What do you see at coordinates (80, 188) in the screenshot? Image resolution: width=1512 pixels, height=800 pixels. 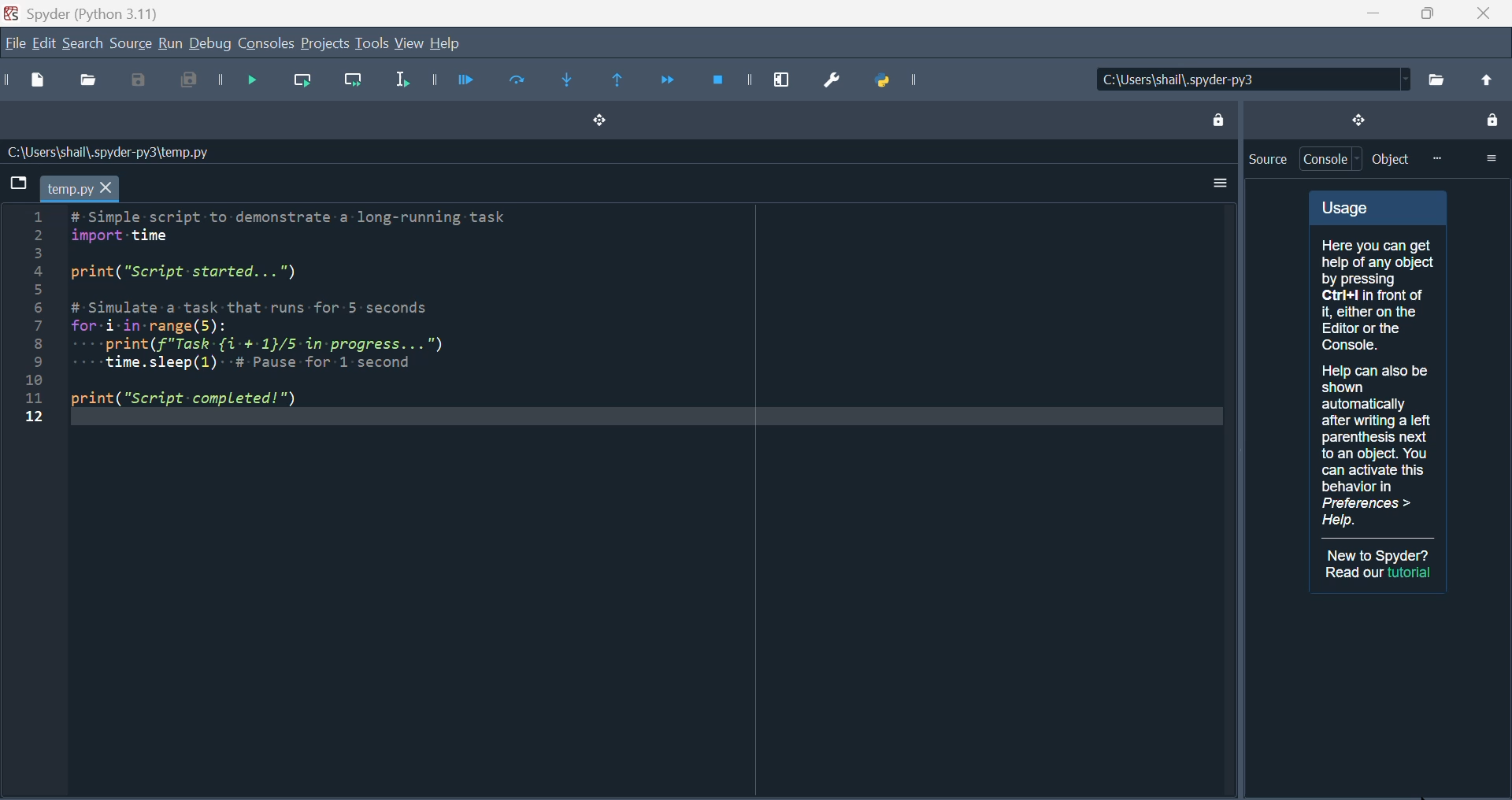 I see `temp.py` at bounding box center [80, 188].